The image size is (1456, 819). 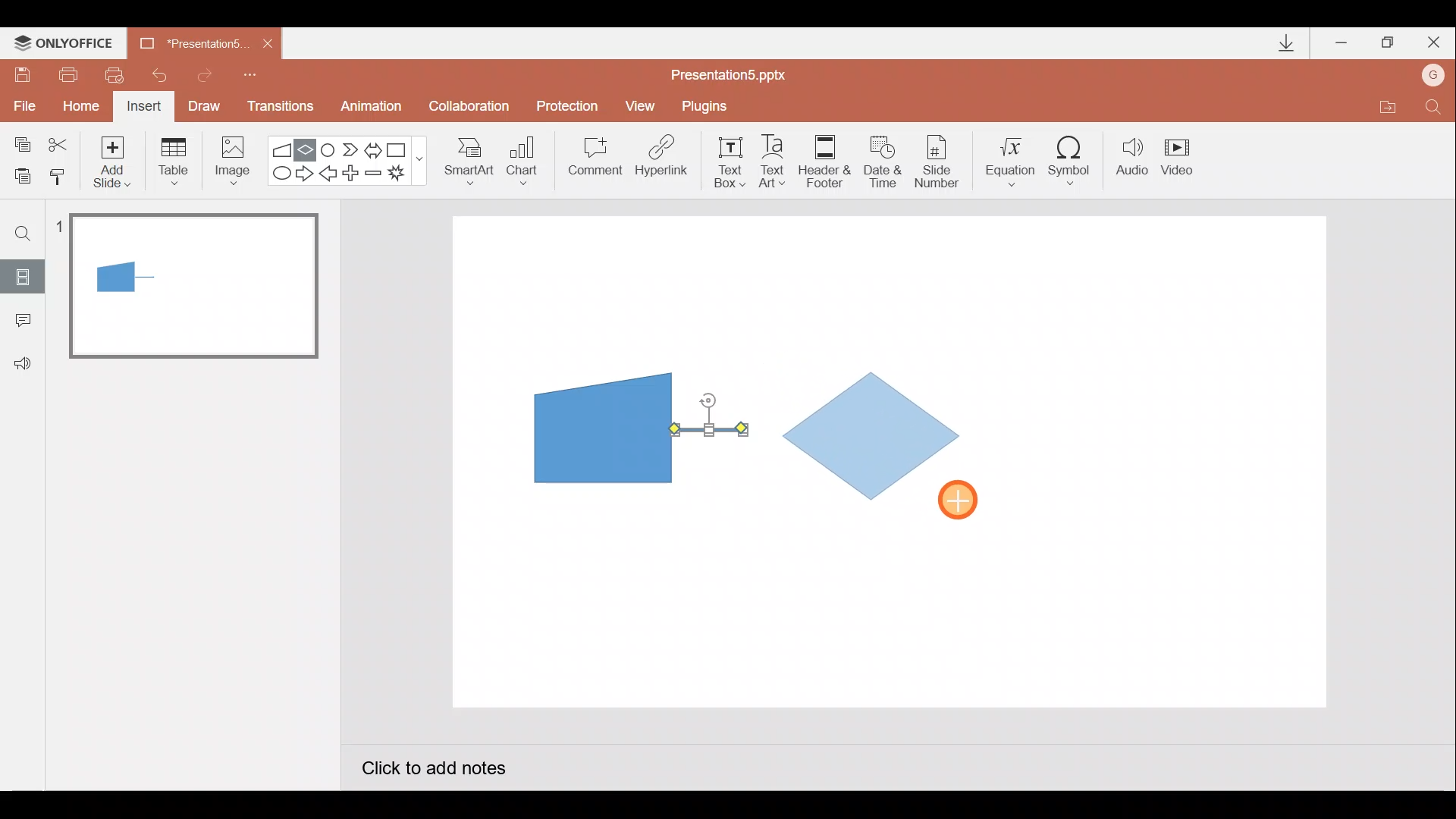 I want to click on Collaboration, so click(x=472, y=108).